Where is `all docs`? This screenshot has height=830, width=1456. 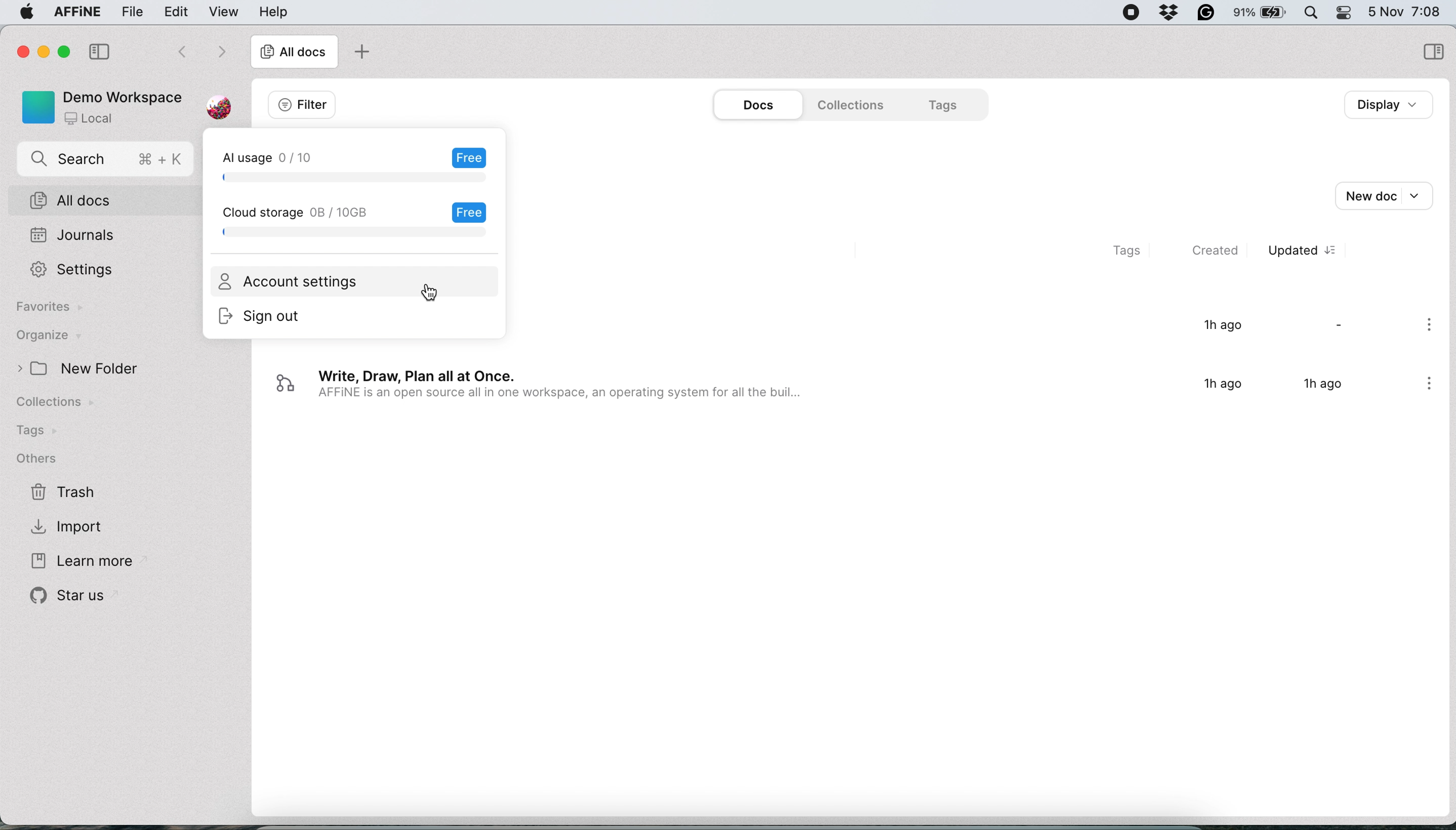
all docs is located at coordinates (294, 53).